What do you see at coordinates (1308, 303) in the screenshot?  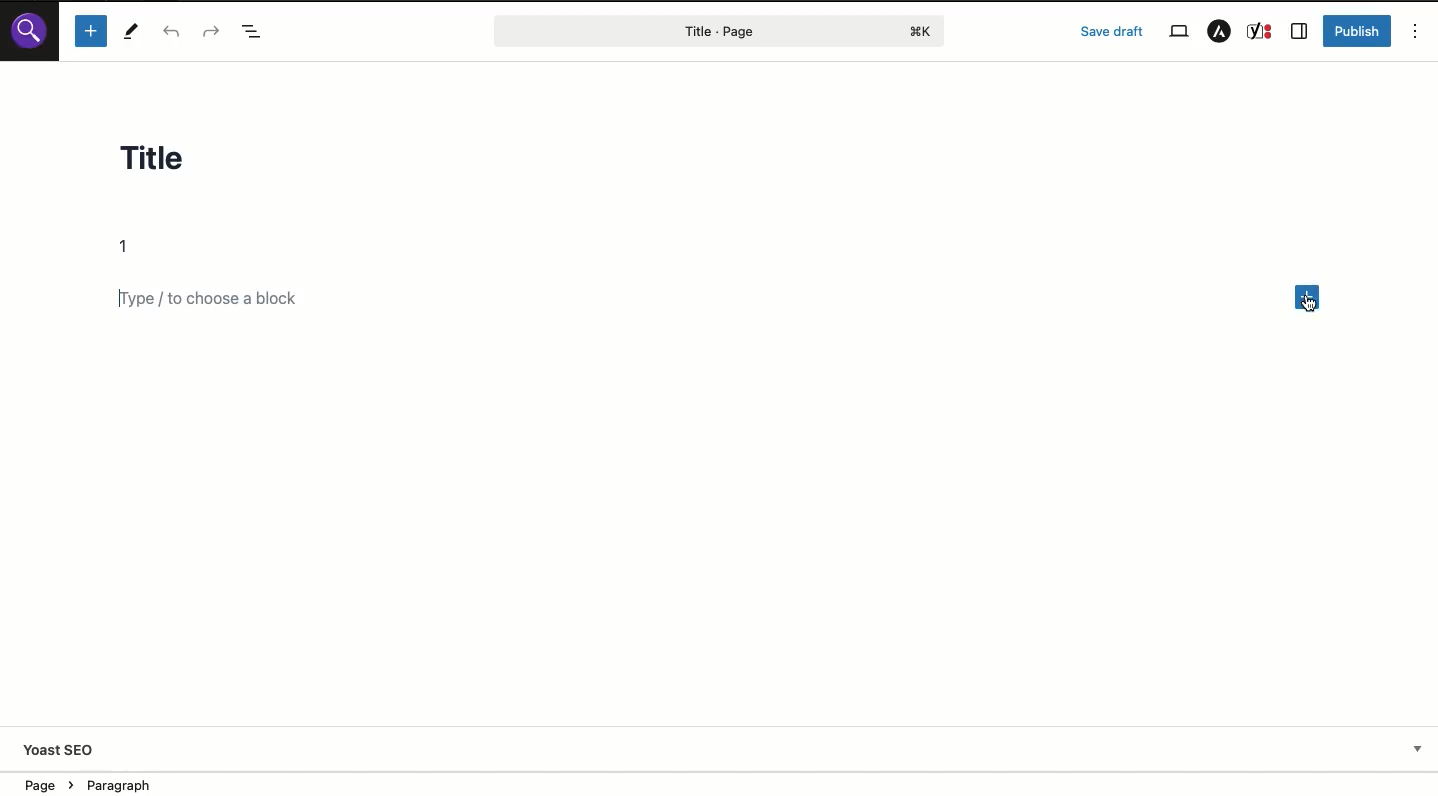 I see `text cursor` at bounding box center [1308, 303].